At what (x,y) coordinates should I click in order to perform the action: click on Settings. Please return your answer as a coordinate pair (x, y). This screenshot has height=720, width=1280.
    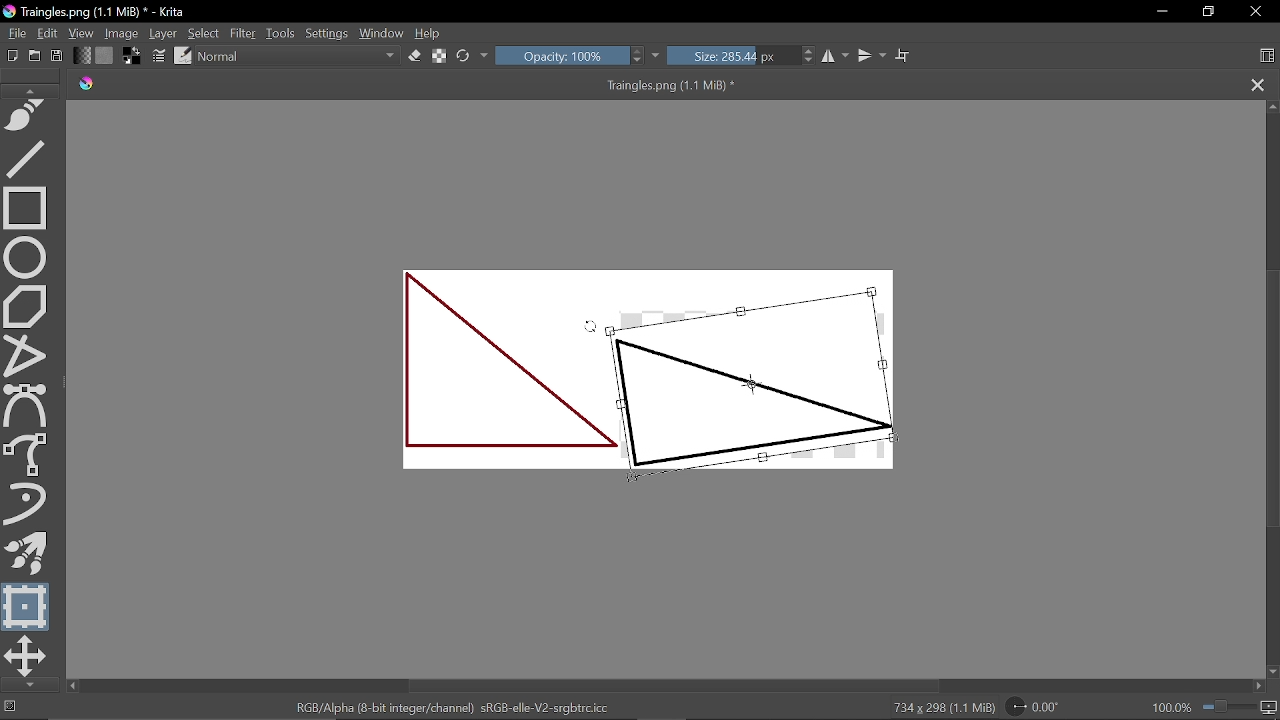
    Looking at the image, I should click on (328, 35).